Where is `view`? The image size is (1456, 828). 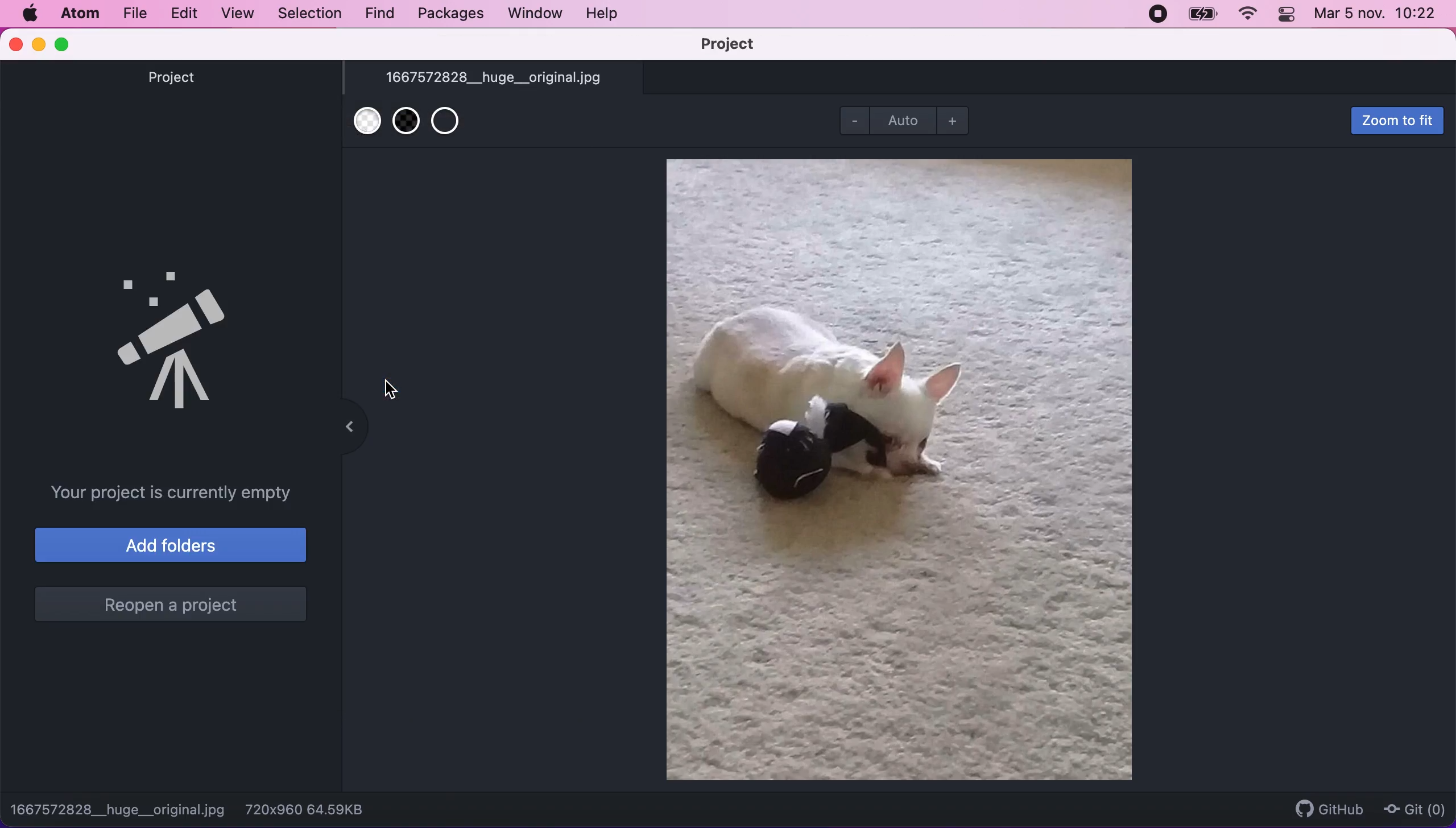
view is located at coordinates (237, 15).